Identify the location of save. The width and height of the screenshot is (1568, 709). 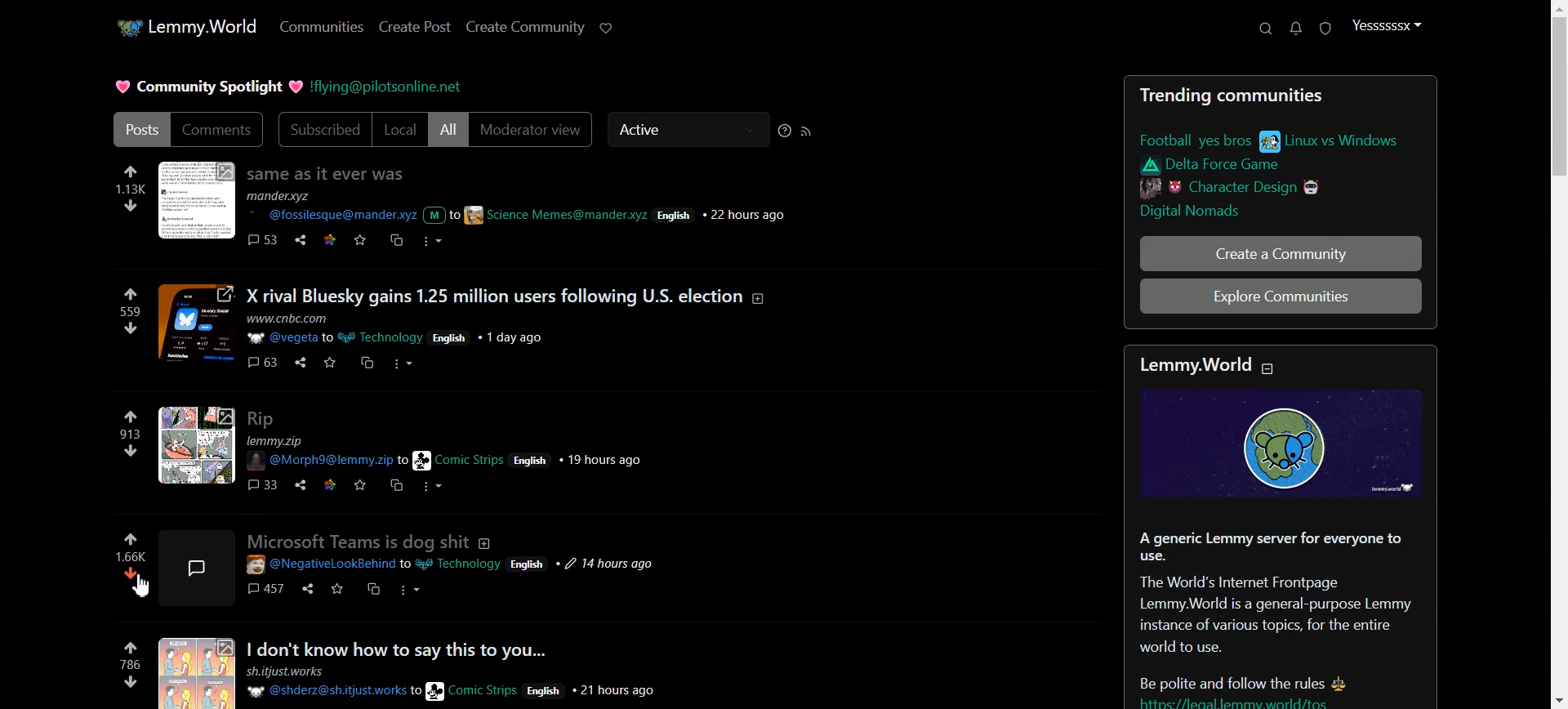
(338, 589).